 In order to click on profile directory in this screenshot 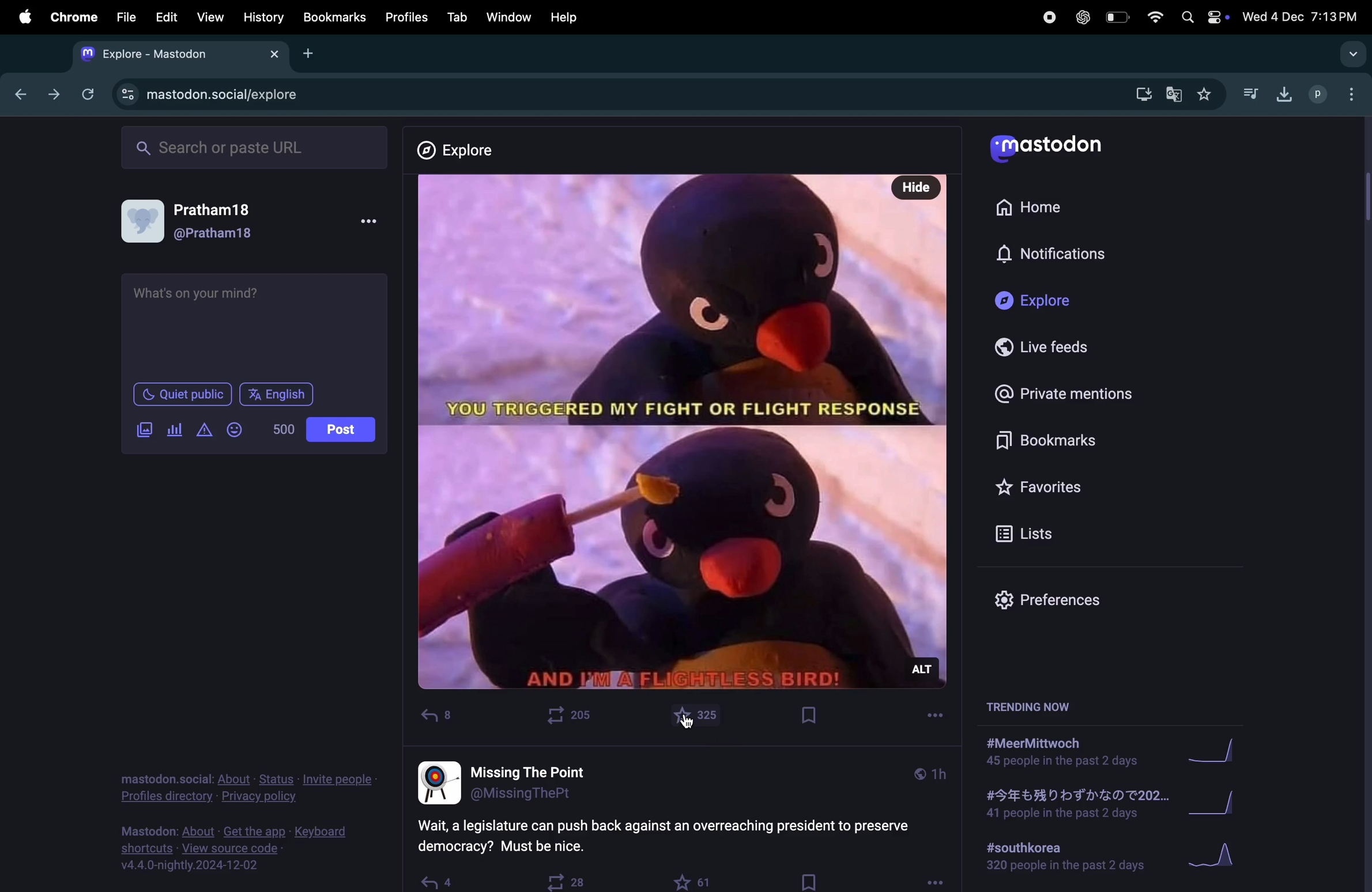, I will do `click(249, 783)`.